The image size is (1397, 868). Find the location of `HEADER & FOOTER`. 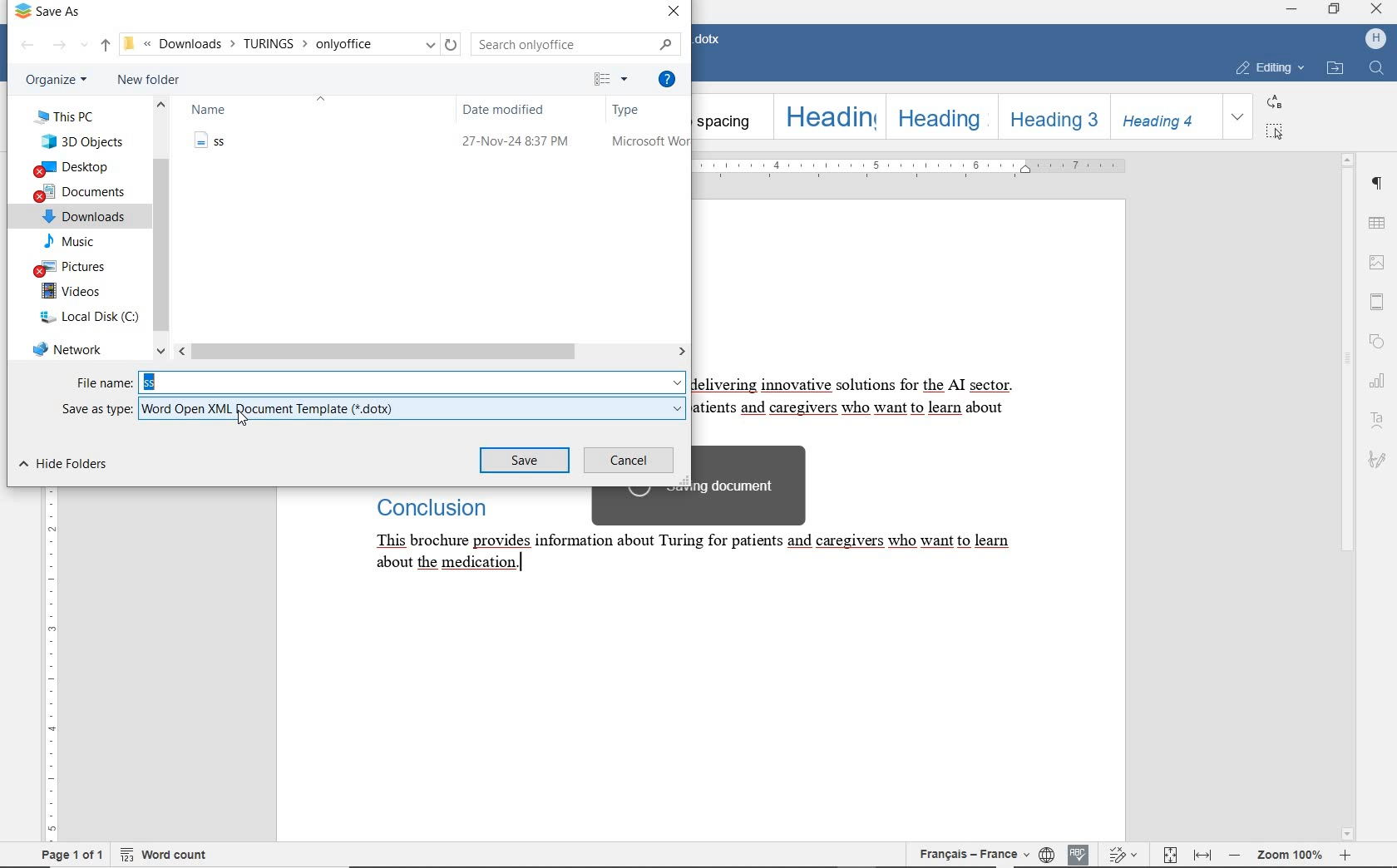

HEADER & FOOTER is located at coordinates (1378, 303).